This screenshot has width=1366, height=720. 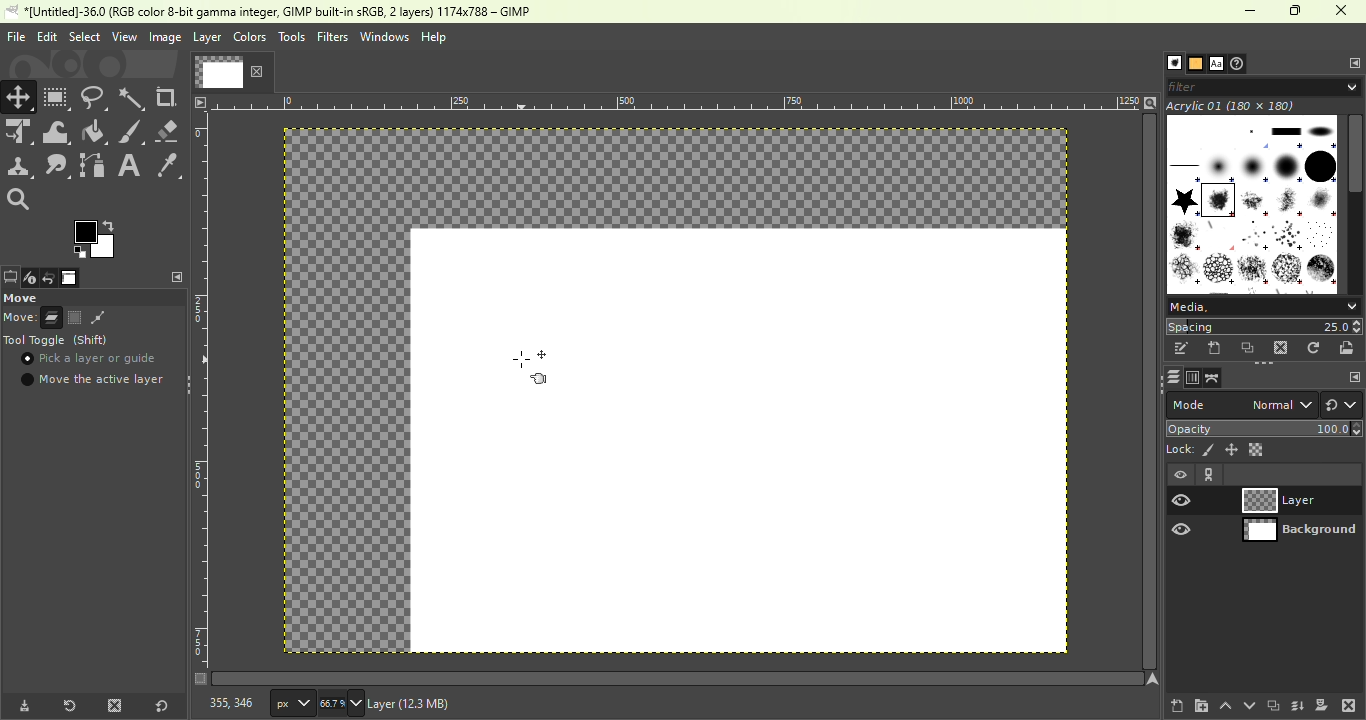 What do you see at coordinates (95, 133) in the screenshot?
I see `Paint` at bounding box center [95, 133].